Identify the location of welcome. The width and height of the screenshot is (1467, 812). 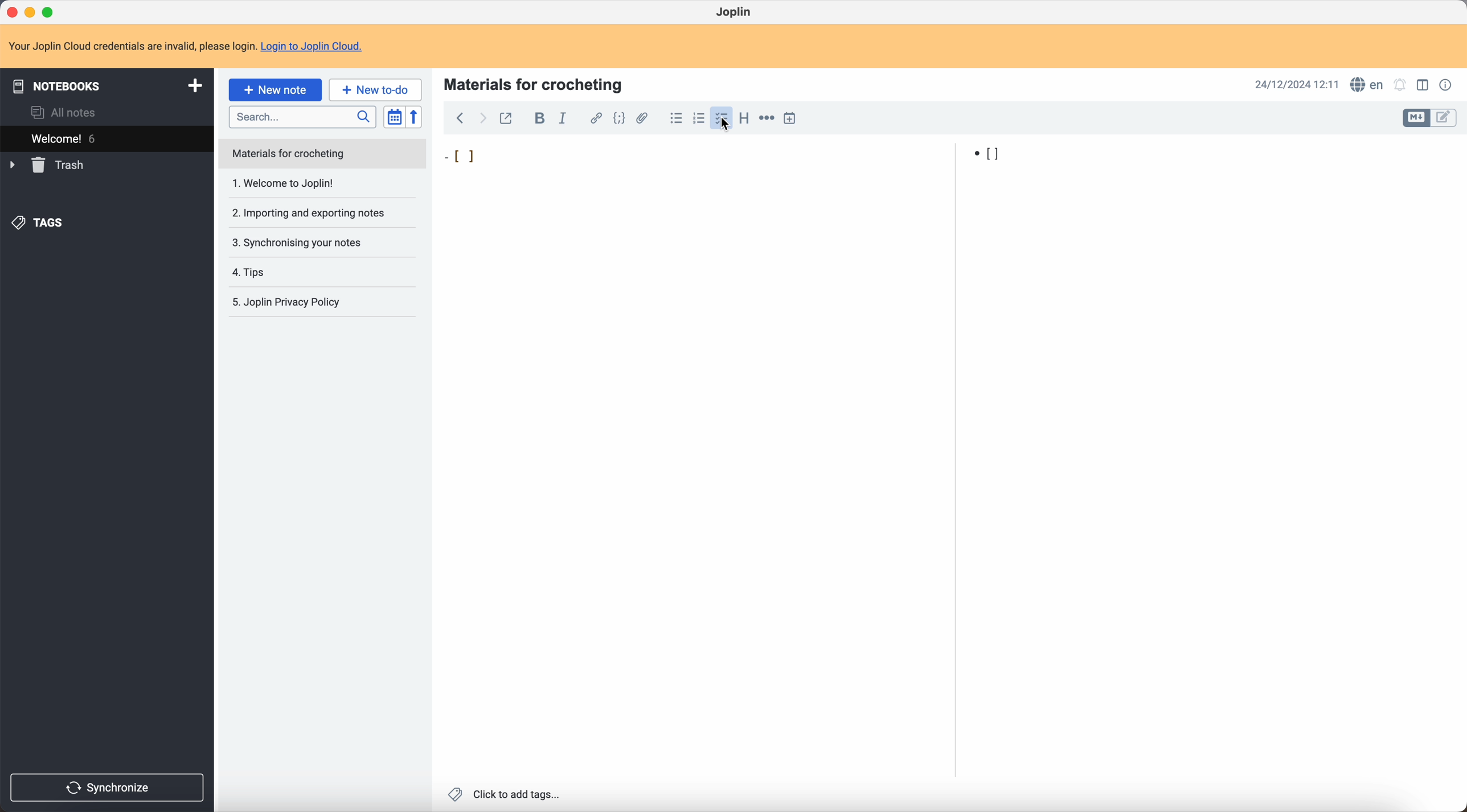
(106, 137).